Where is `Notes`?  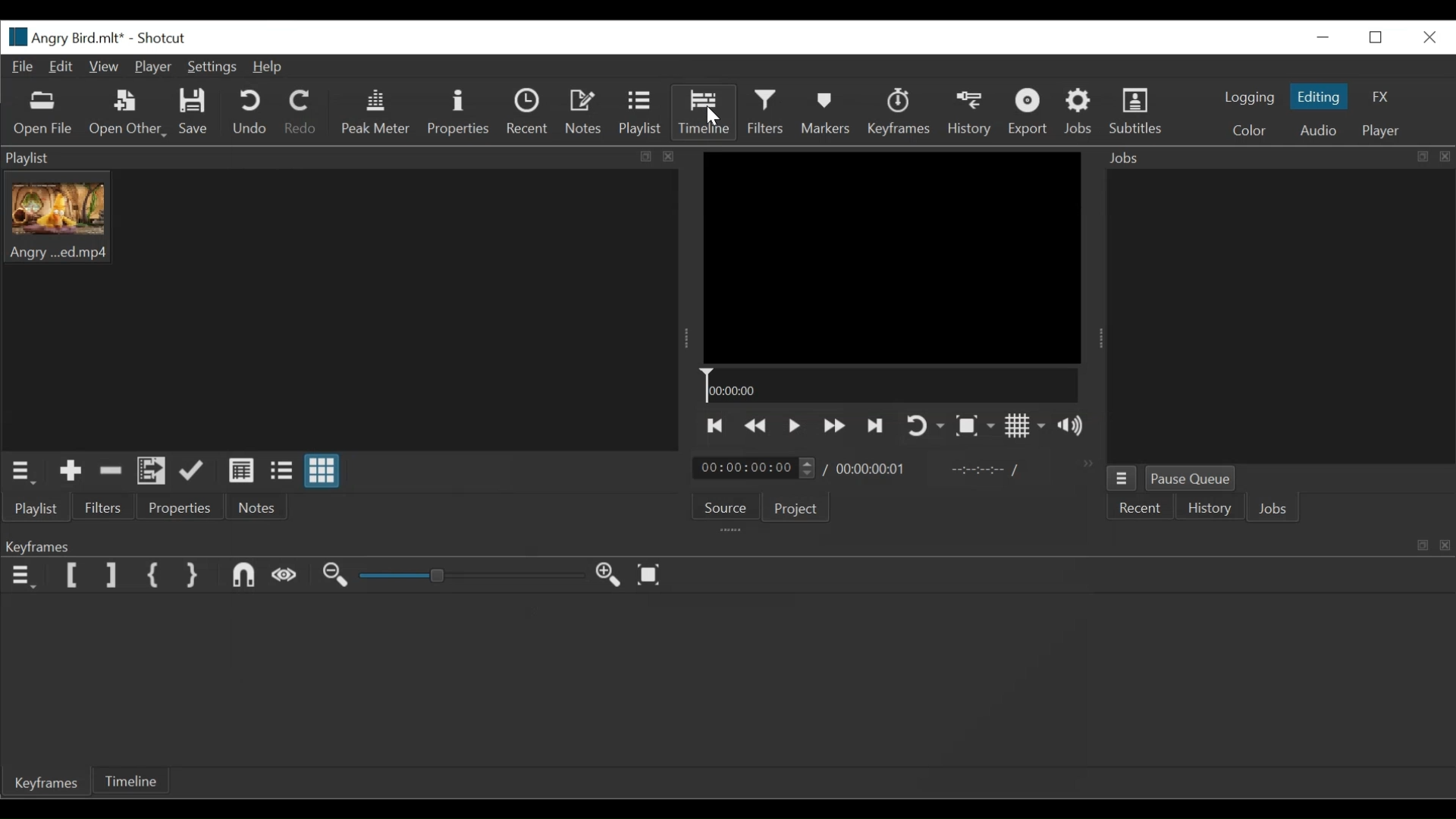
Notes is located at coordinates (258, 507).